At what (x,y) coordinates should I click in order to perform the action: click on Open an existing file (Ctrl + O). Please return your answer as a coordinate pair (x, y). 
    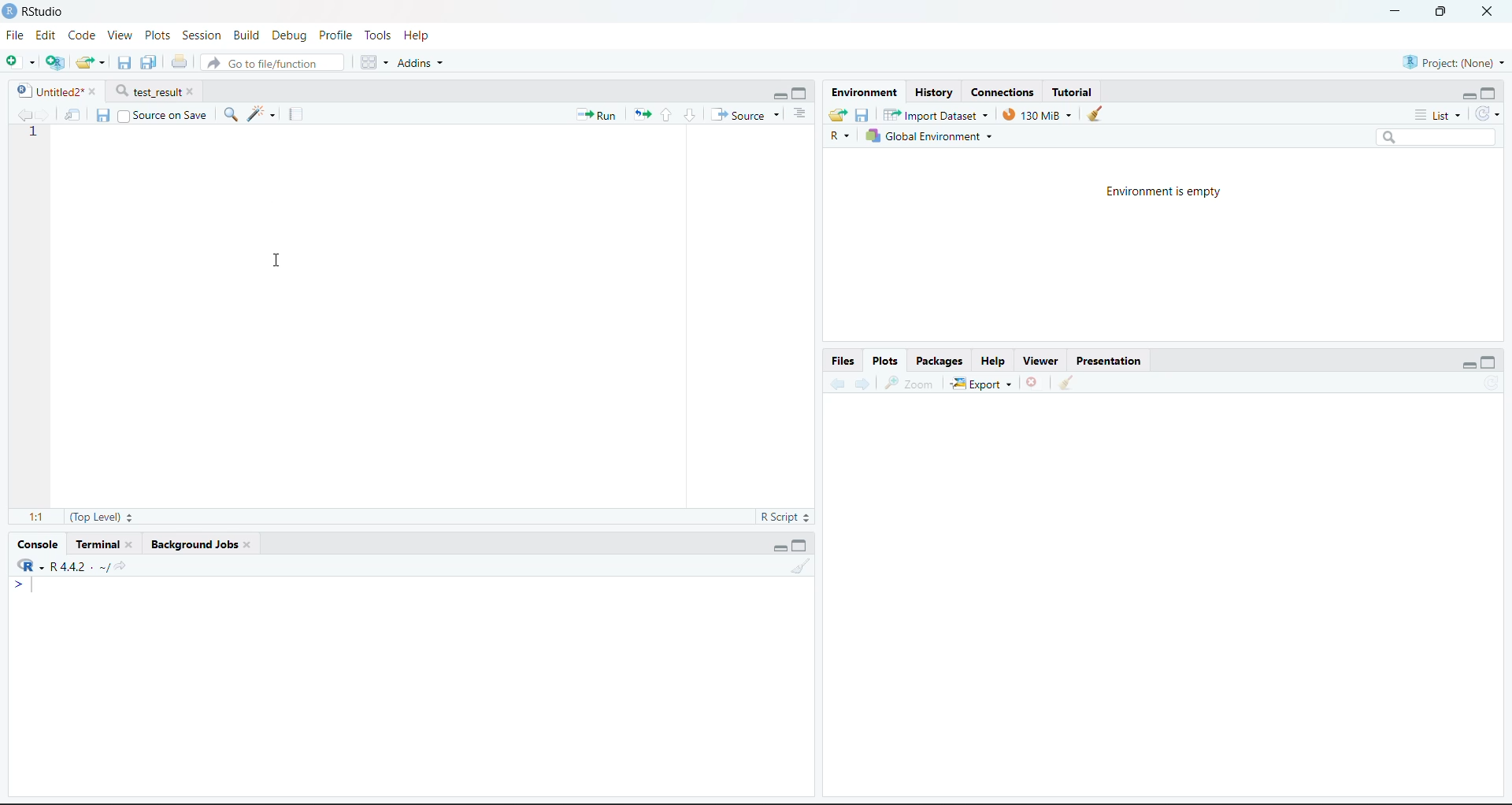
    Looking at the image, I should click on (91, 61).